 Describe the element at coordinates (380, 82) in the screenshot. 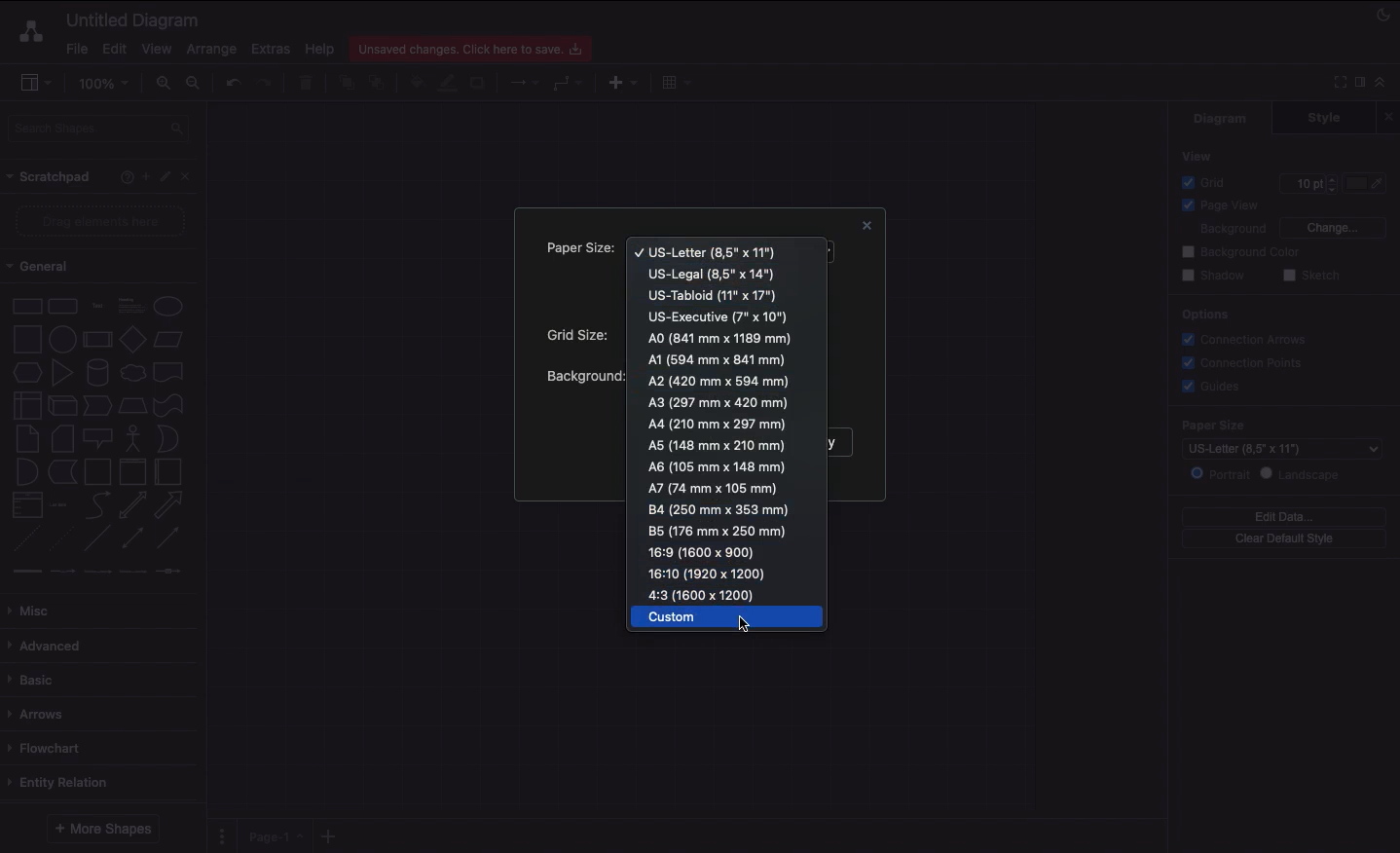

I see `To back` at that location.